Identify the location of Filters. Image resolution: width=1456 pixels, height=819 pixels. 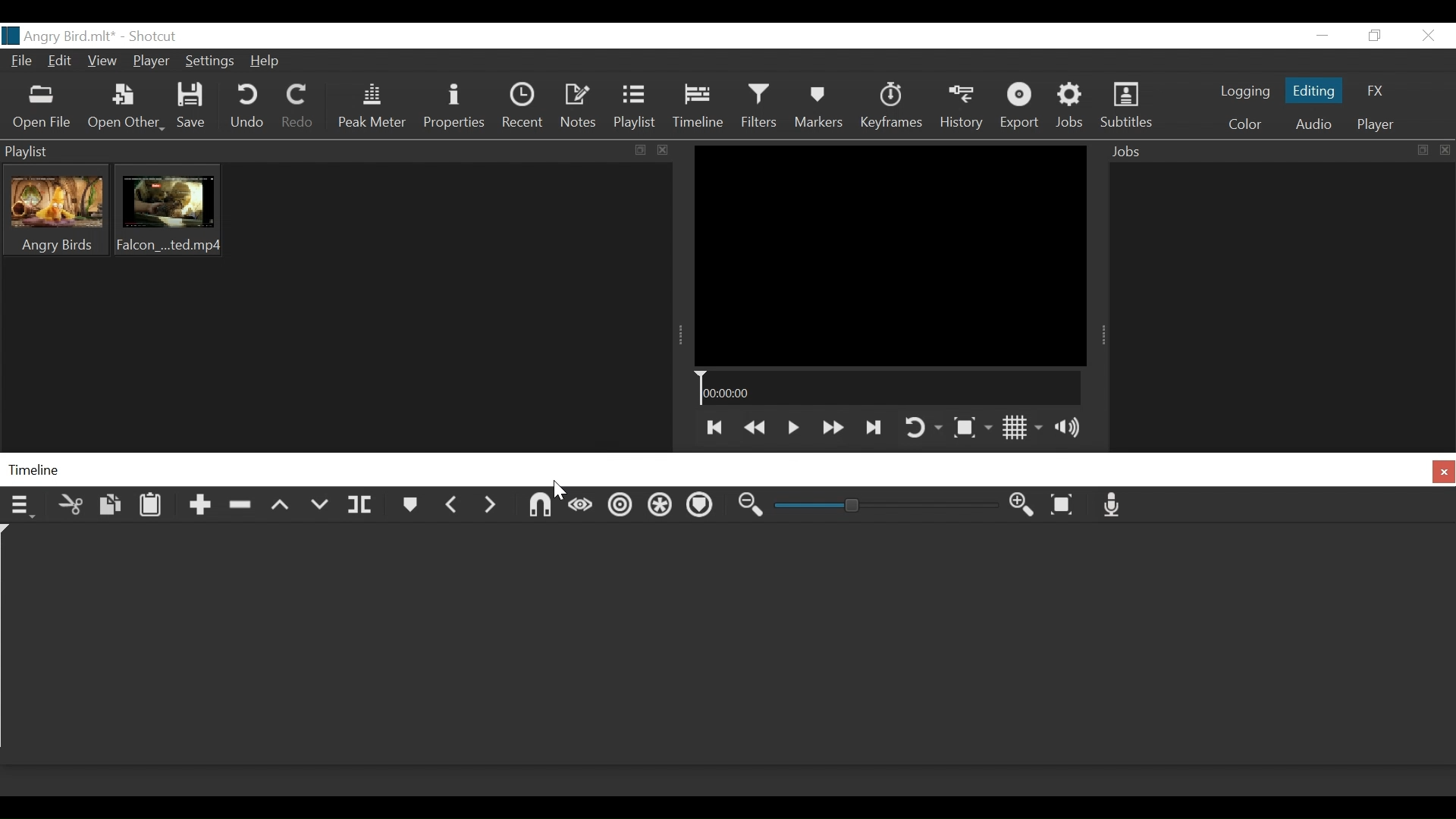
(764, 108).